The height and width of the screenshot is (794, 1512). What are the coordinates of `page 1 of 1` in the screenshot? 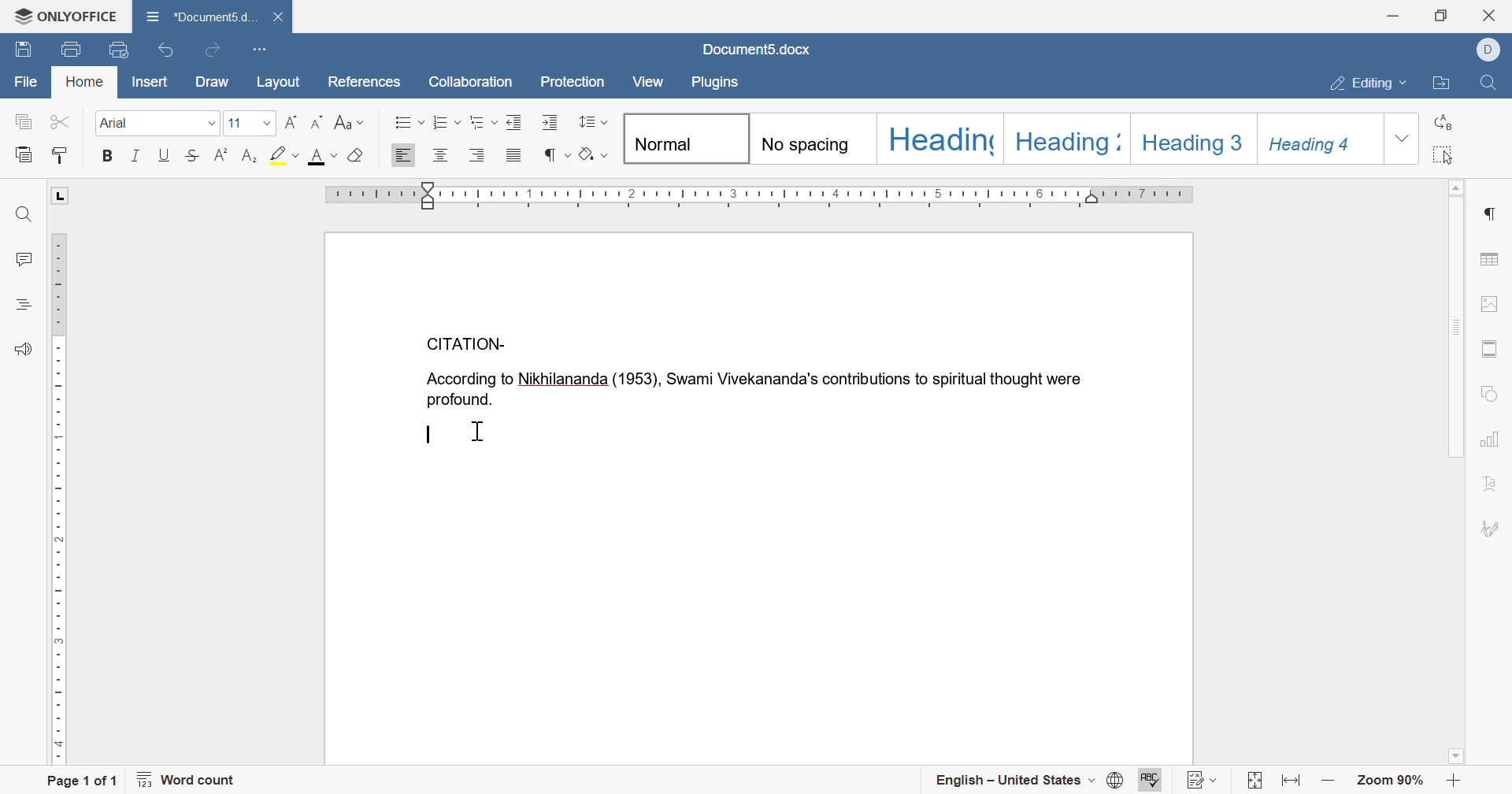 It's located at (85, 781).